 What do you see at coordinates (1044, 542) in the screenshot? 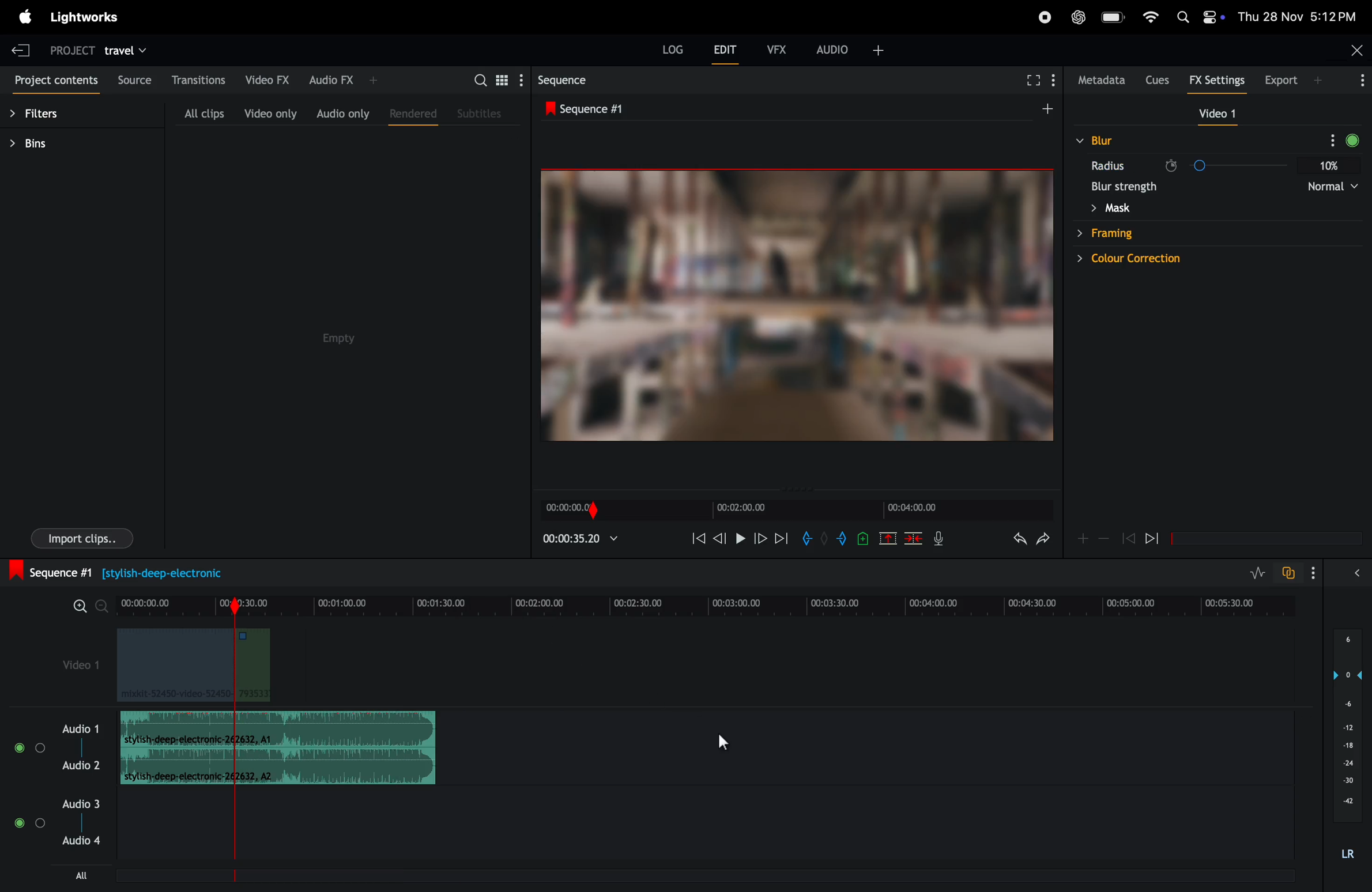
I see `redo` at bounding box center [1044, 542].